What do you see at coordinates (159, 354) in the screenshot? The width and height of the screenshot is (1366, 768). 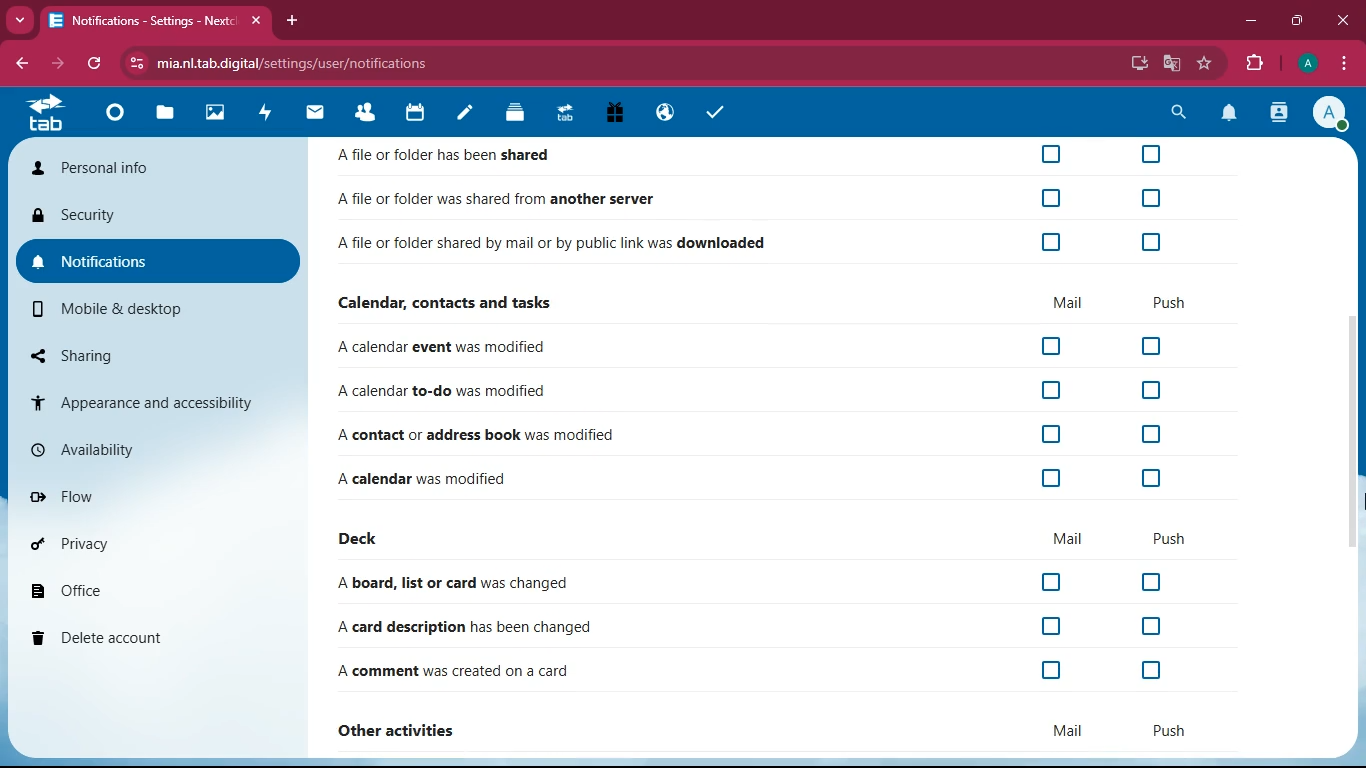 I see `sharing` at bounding box center [159, 354].